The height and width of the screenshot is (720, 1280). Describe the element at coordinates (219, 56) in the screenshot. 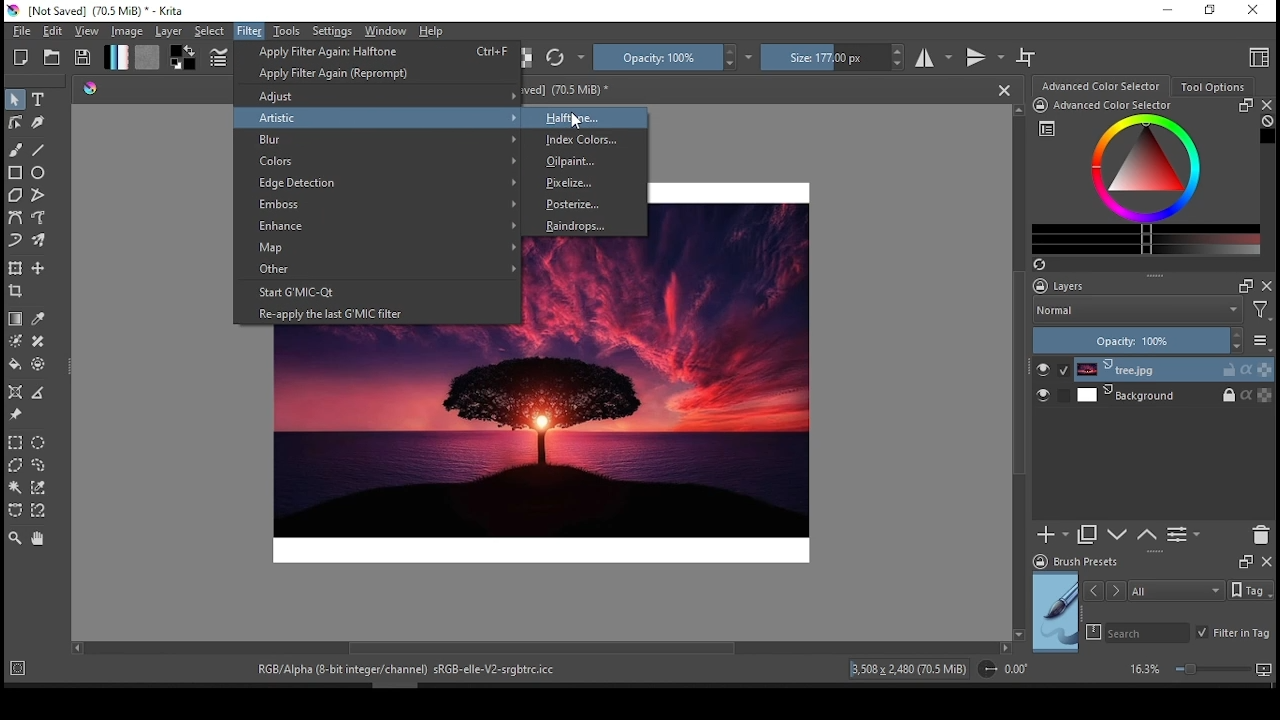

I see `edit brush settings` at that location.